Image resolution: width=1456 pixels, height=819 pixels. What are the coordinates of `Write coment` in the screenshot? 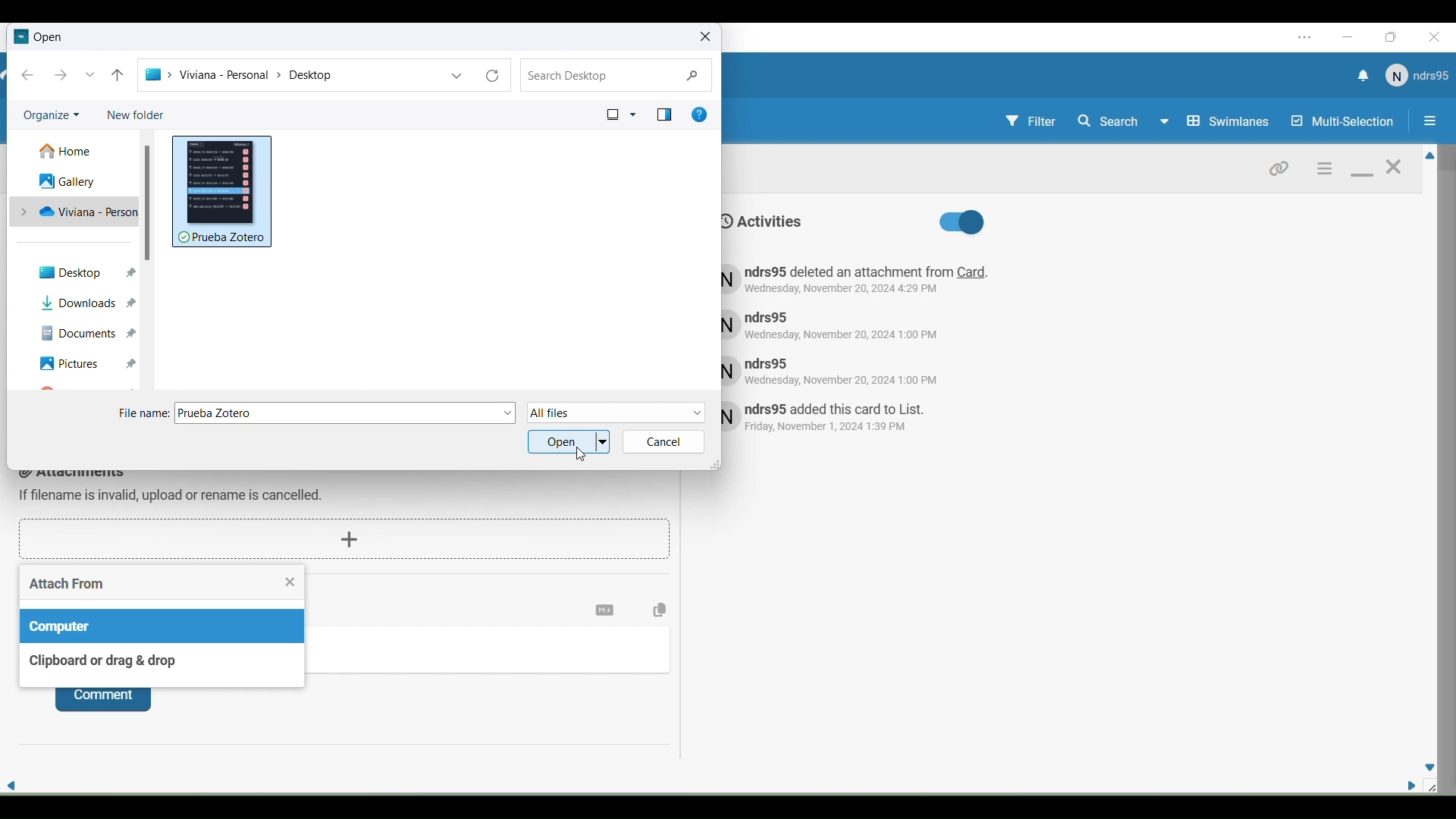 It's located at (493, 653).